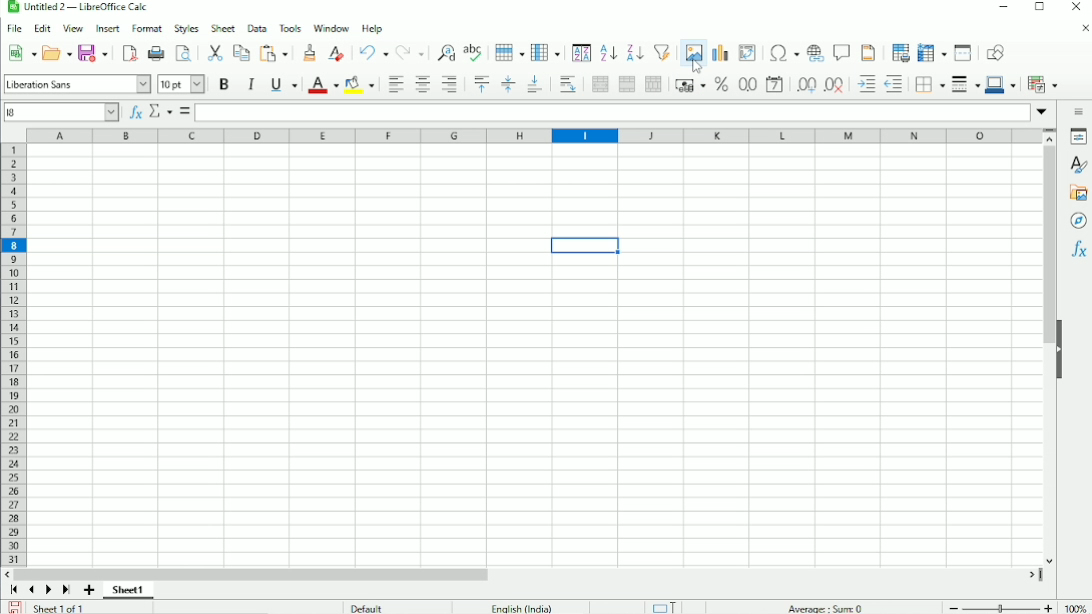 The image size is (1092, 614). Describe the element at coordinates (1076, 220) in the screenshot. I see `Navigator` at that location.